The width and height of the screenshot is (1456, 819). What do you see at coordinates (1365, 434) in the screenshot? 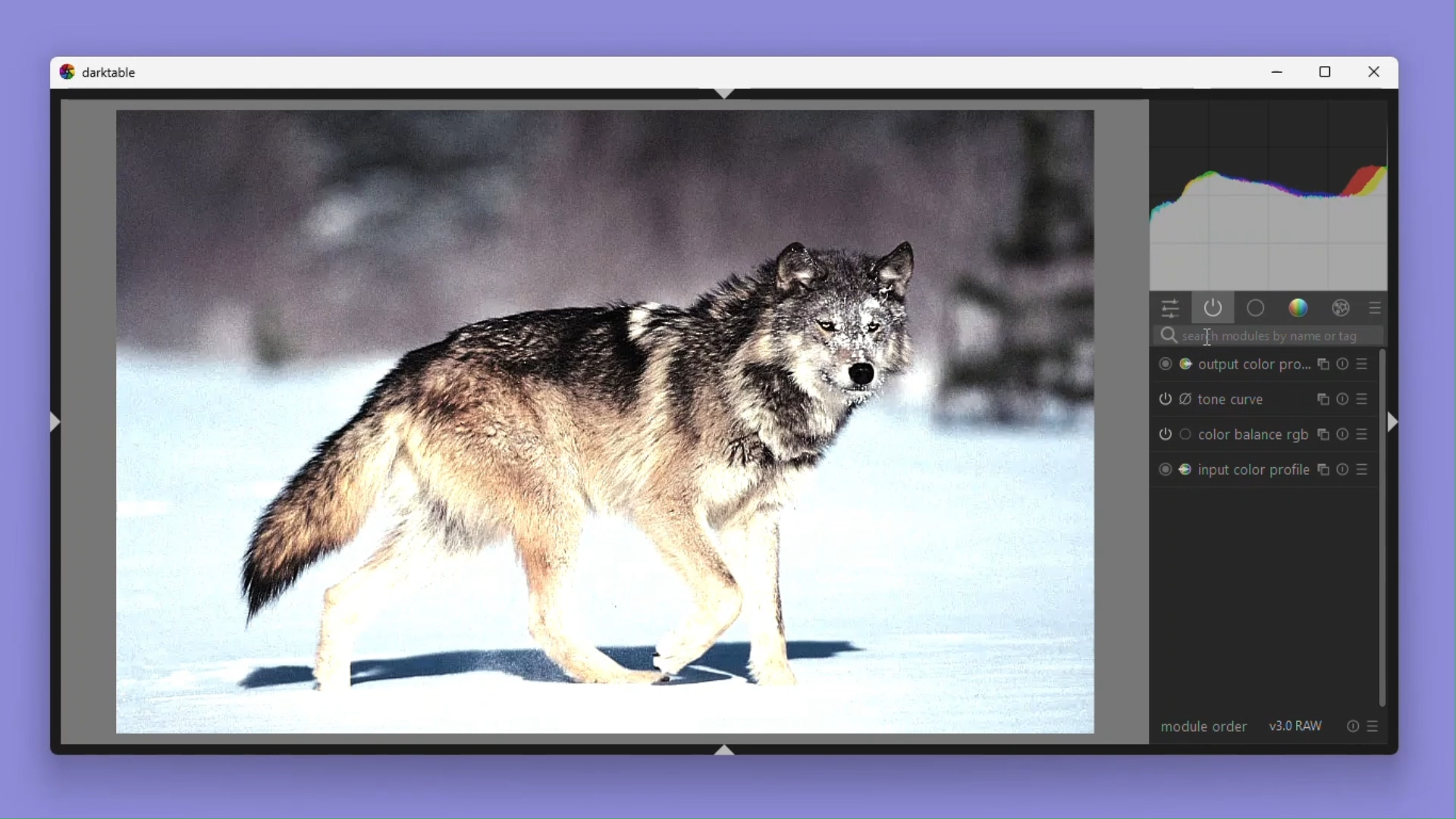
I see `Preset` at bounding box center [1365, 434].